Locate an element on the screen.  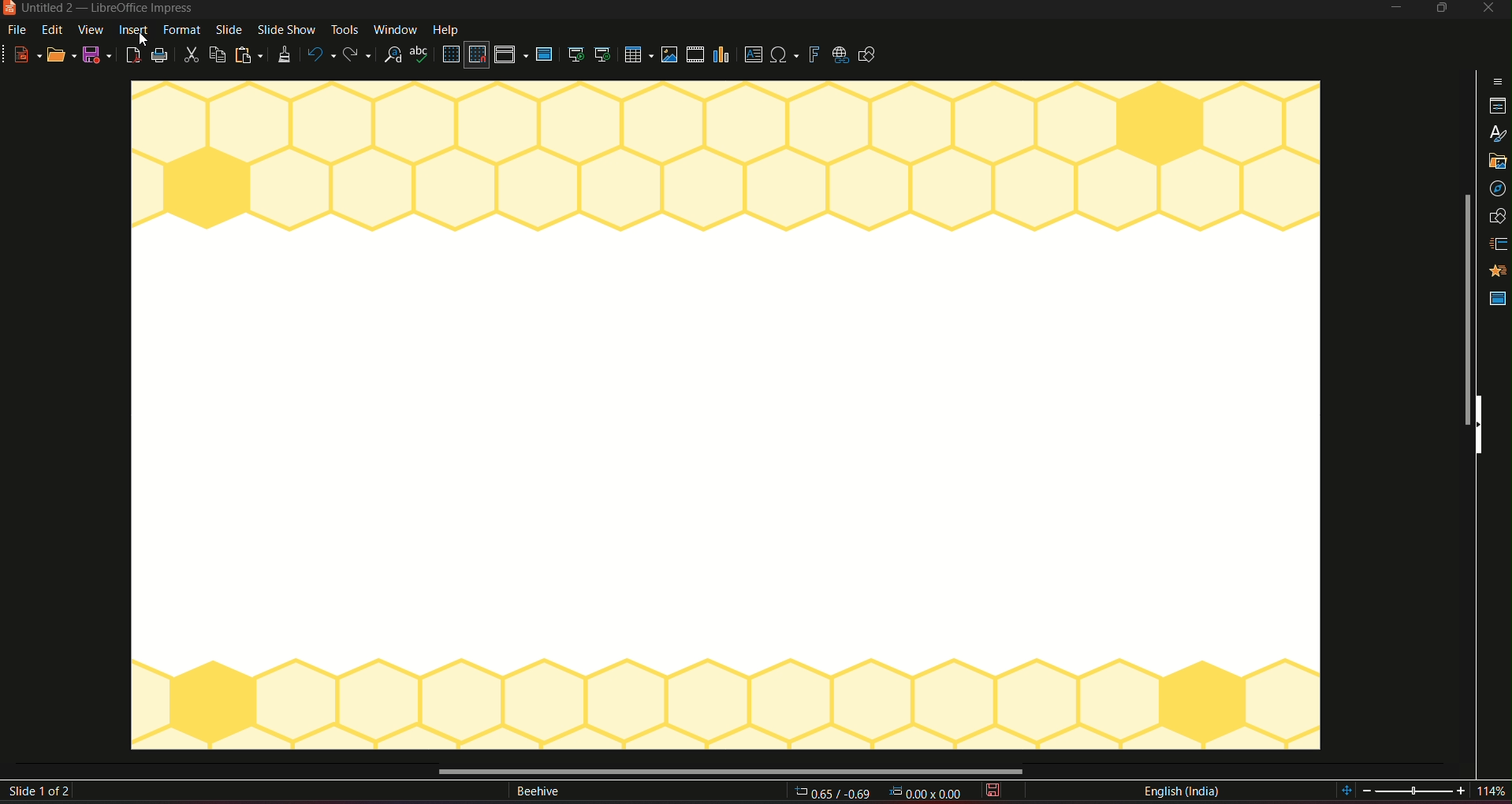
cursor location: 0.65/-0.69 is located at coordinates (836, 792).